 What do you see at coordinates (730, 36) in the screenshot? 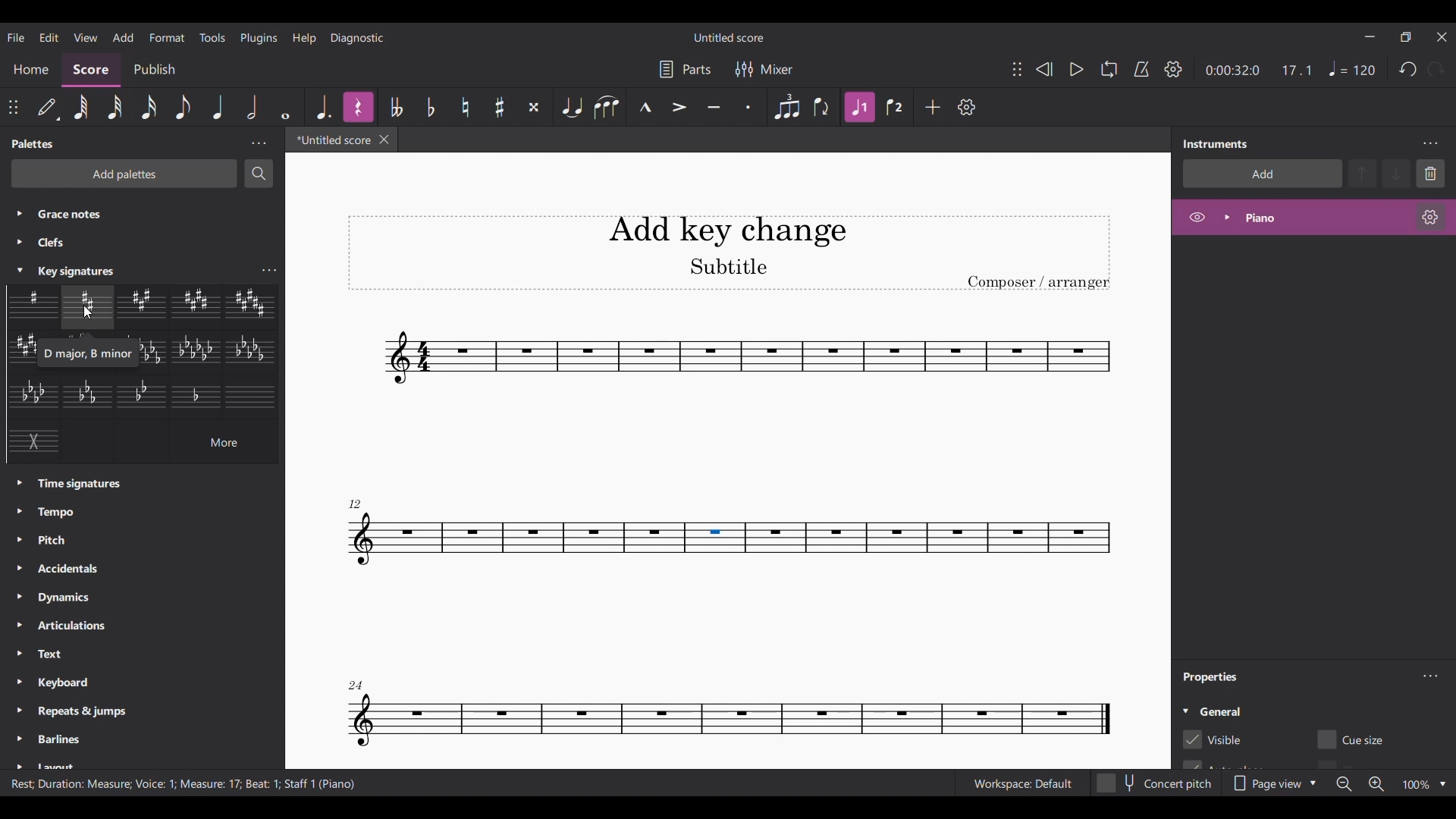
I see `Score name` at bounding box center [730, 36].